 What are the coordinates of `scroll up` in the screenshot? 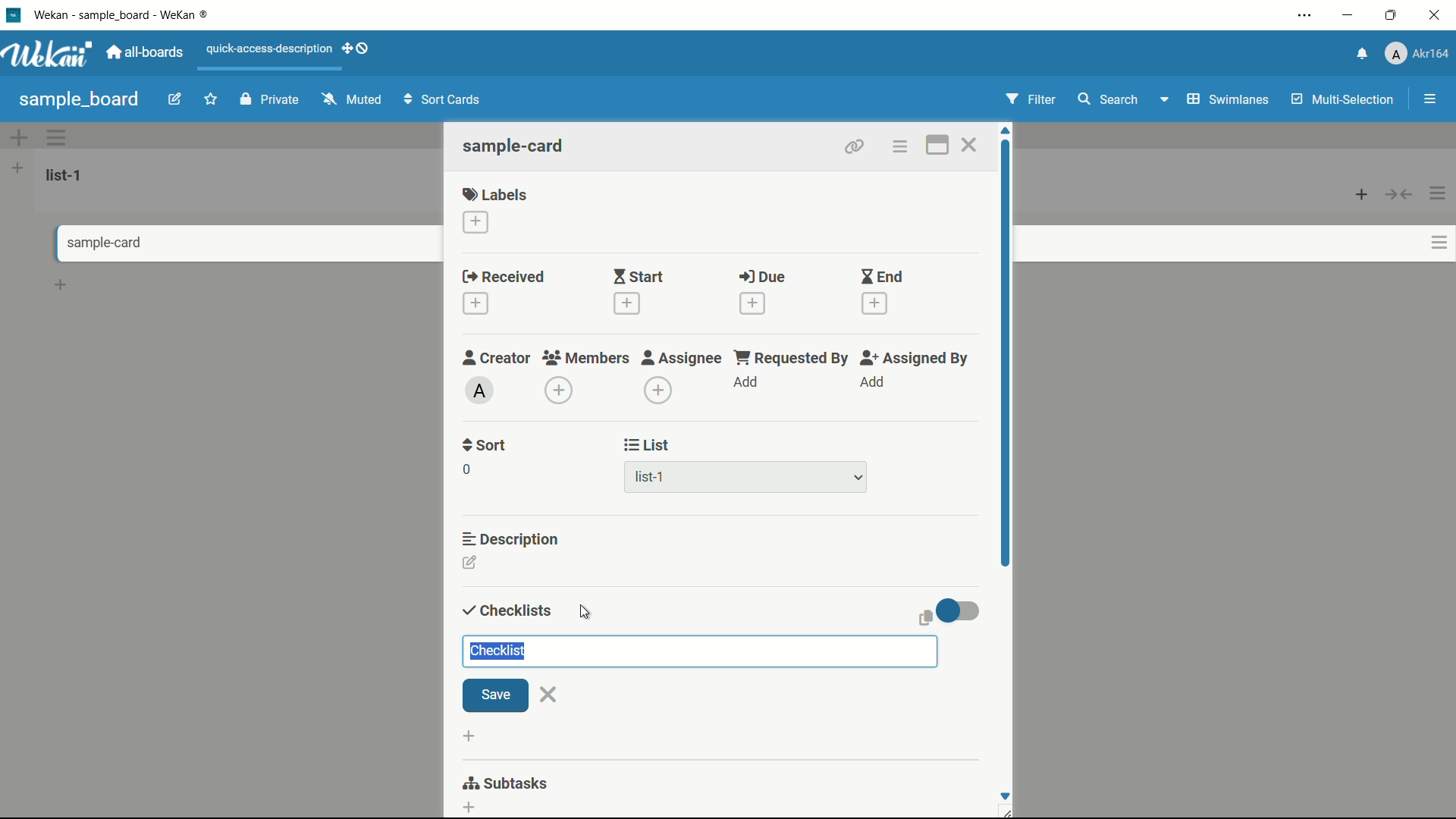 It's located at (1007, 130).